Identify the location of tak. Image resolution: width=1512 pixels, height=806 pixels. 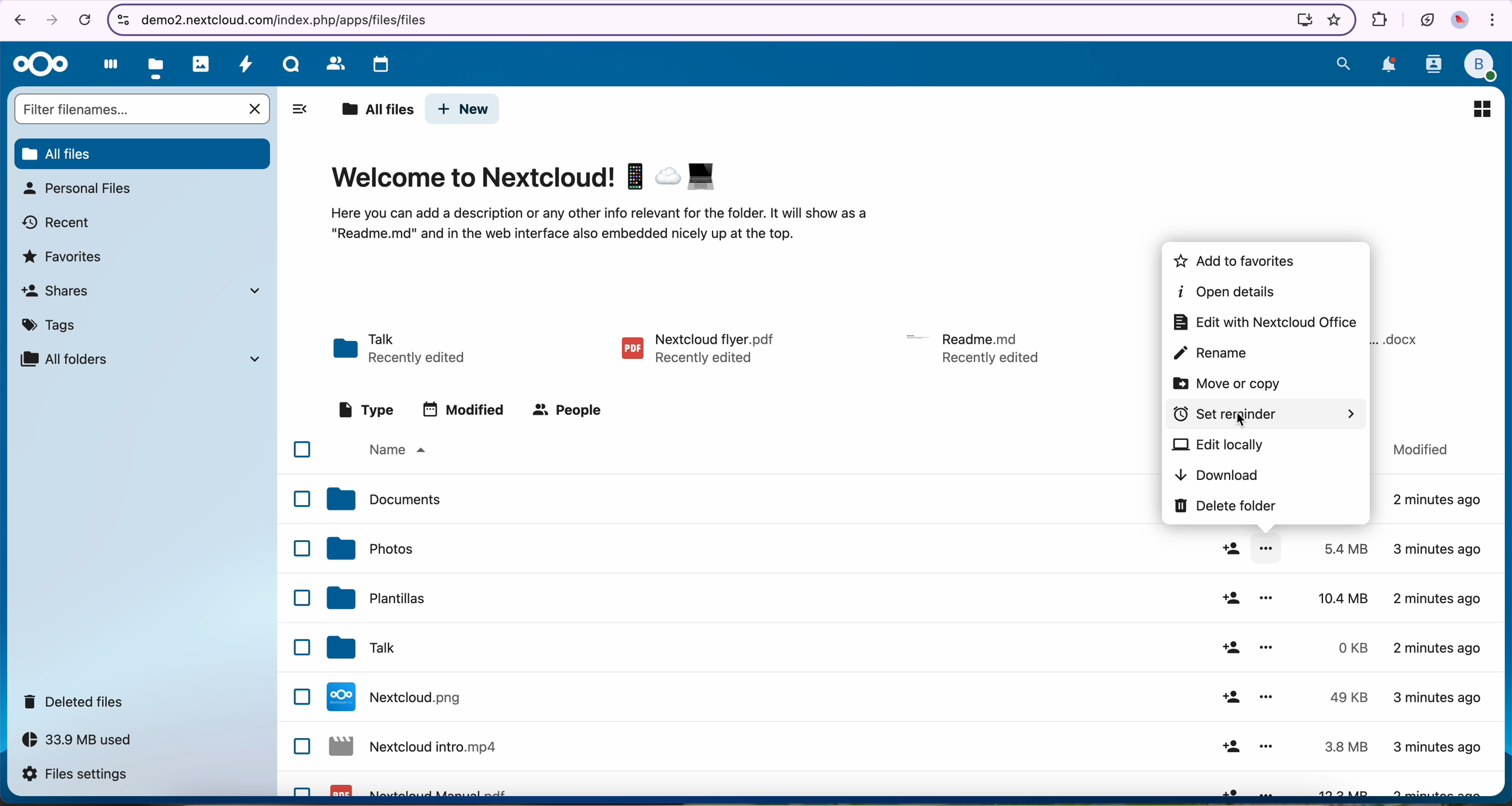
(367, 648).